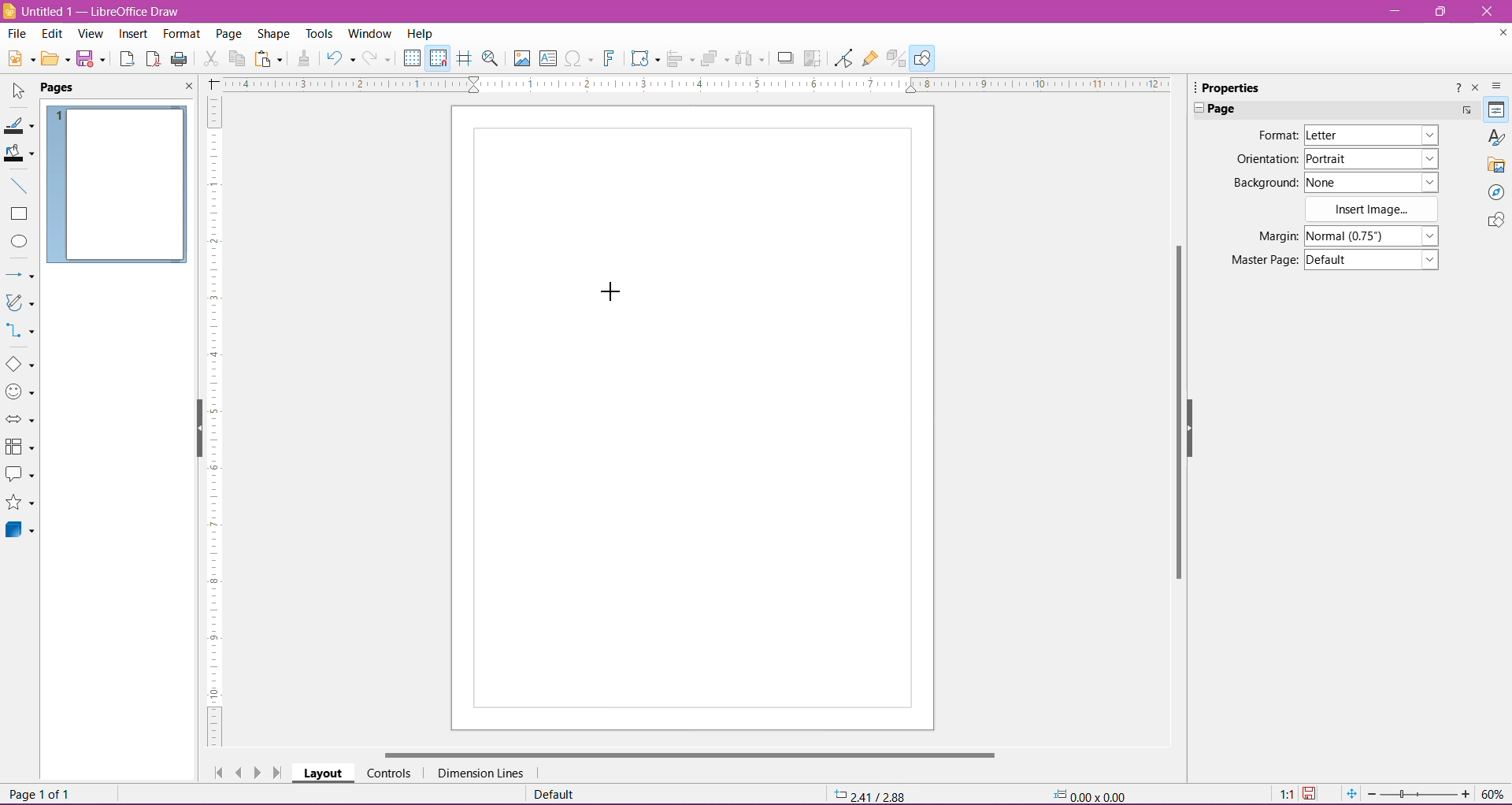  I want to click on Default, so click(558, 794).